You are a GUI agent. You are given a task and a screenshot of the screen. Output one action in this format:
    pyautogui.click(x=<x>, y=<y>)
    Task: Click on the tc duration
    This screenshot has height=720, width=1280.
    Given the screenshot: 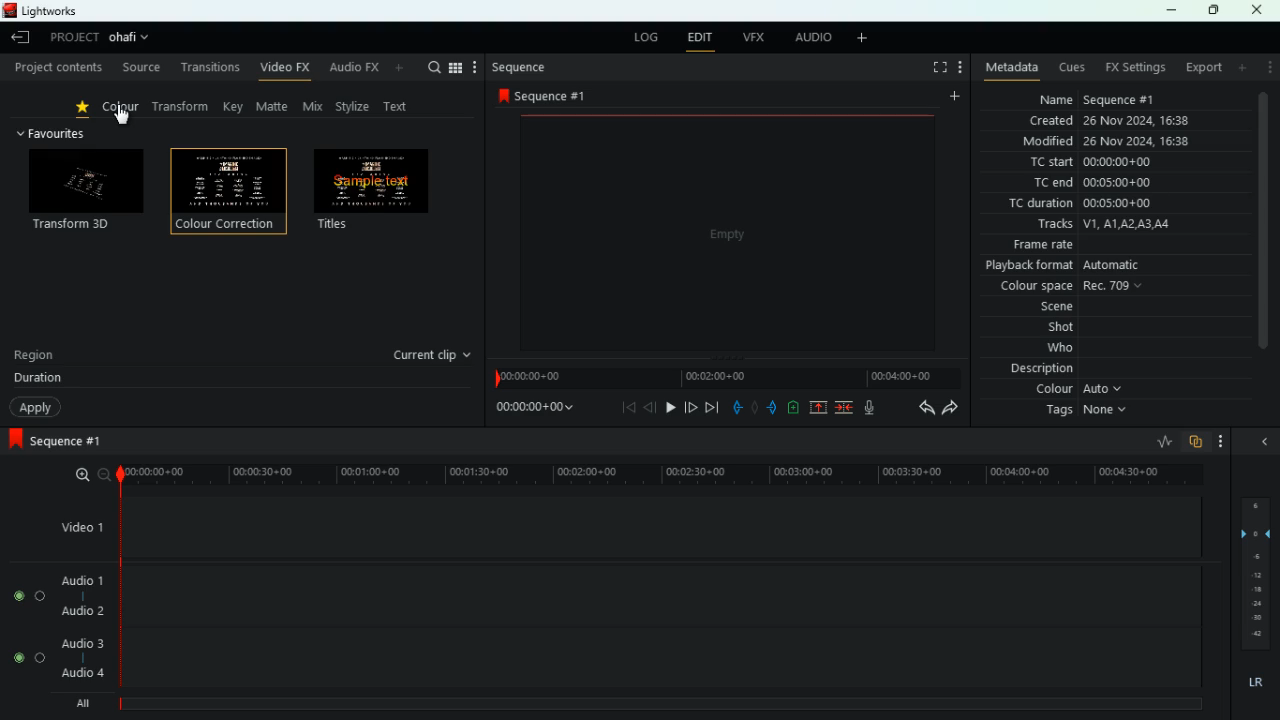 What is the action you would take?
    pyautogui.click(x=1089, y=205)
    